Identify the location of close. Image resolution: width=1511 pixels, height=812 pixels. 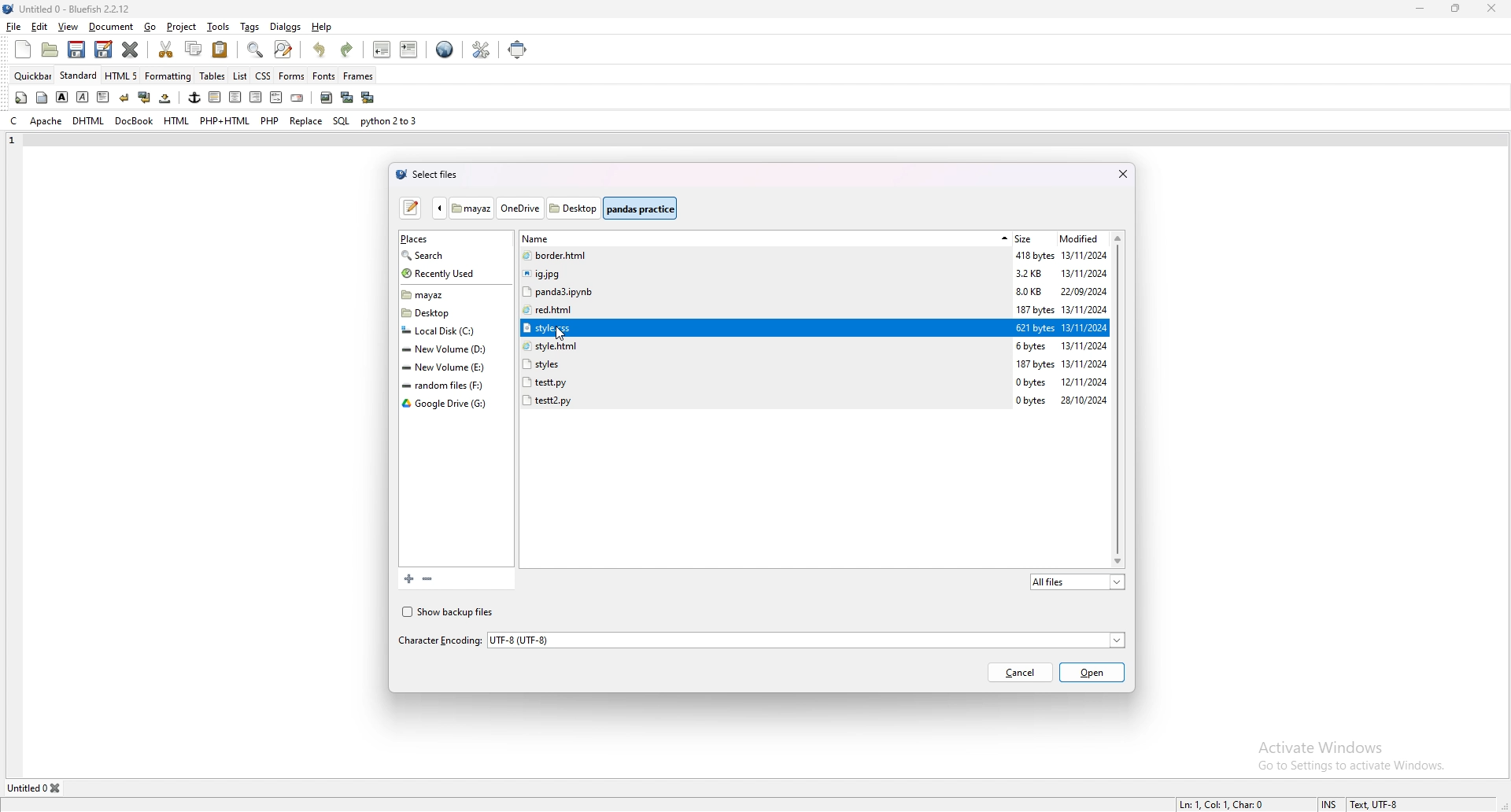
(1491, 9).